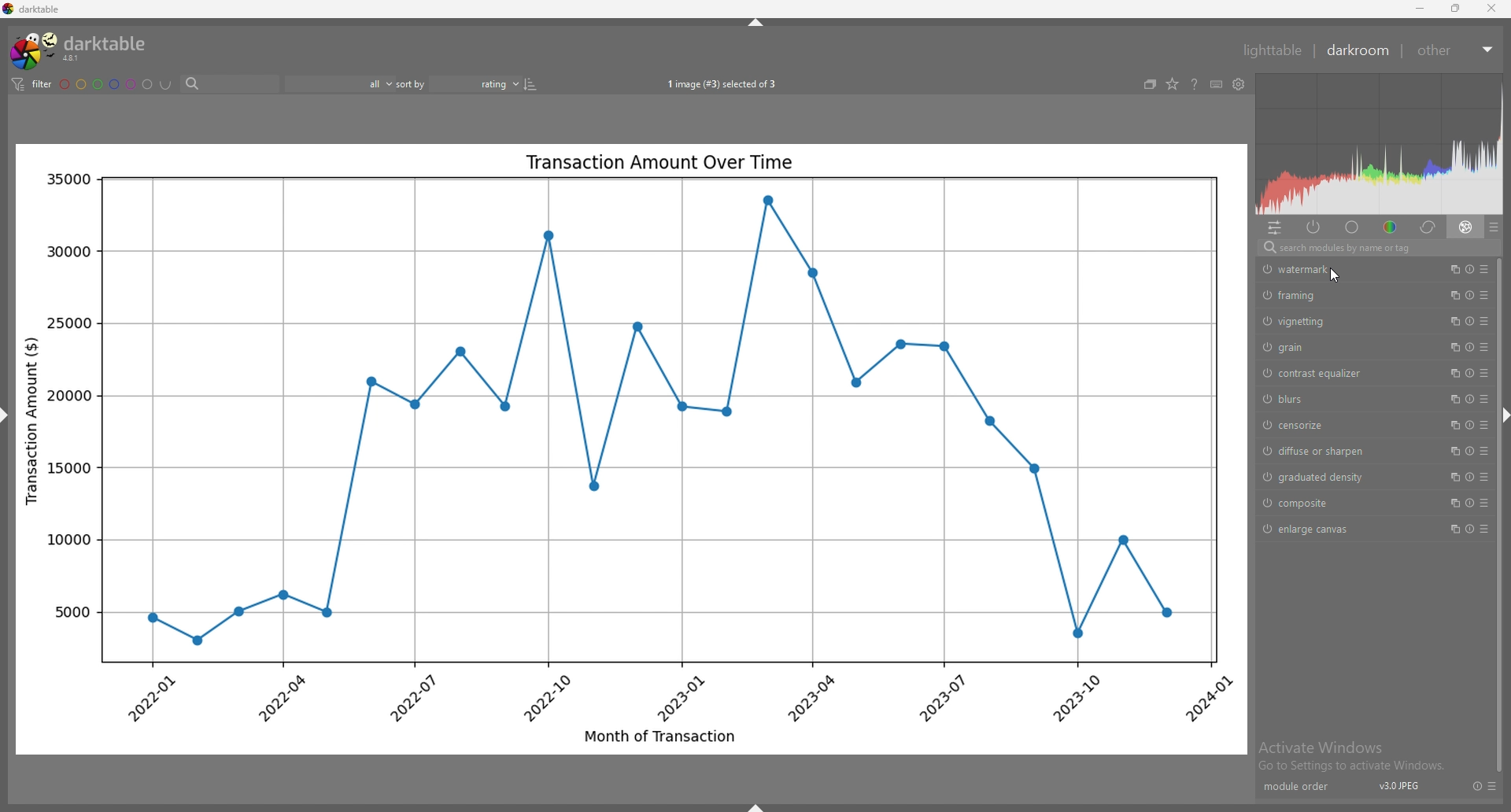  Describe the element at coordinates (1451, 348) in the screenshot. I see `multiple instances action` at that location.